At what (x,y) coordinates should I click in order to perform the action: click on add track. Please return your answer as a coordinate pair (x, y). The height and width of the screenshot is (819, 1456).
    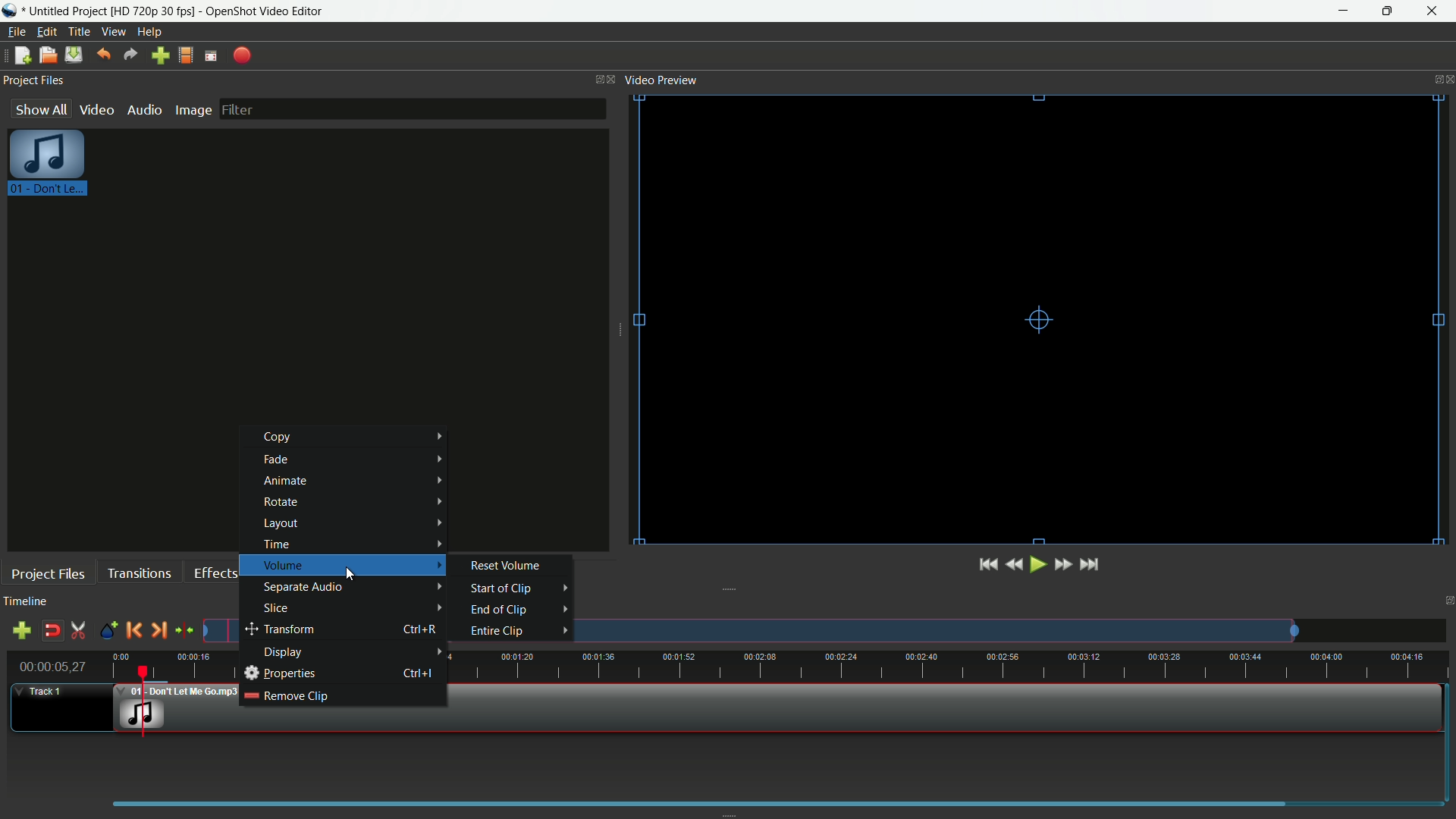
    Looking at the image, I should click on (21, 630).